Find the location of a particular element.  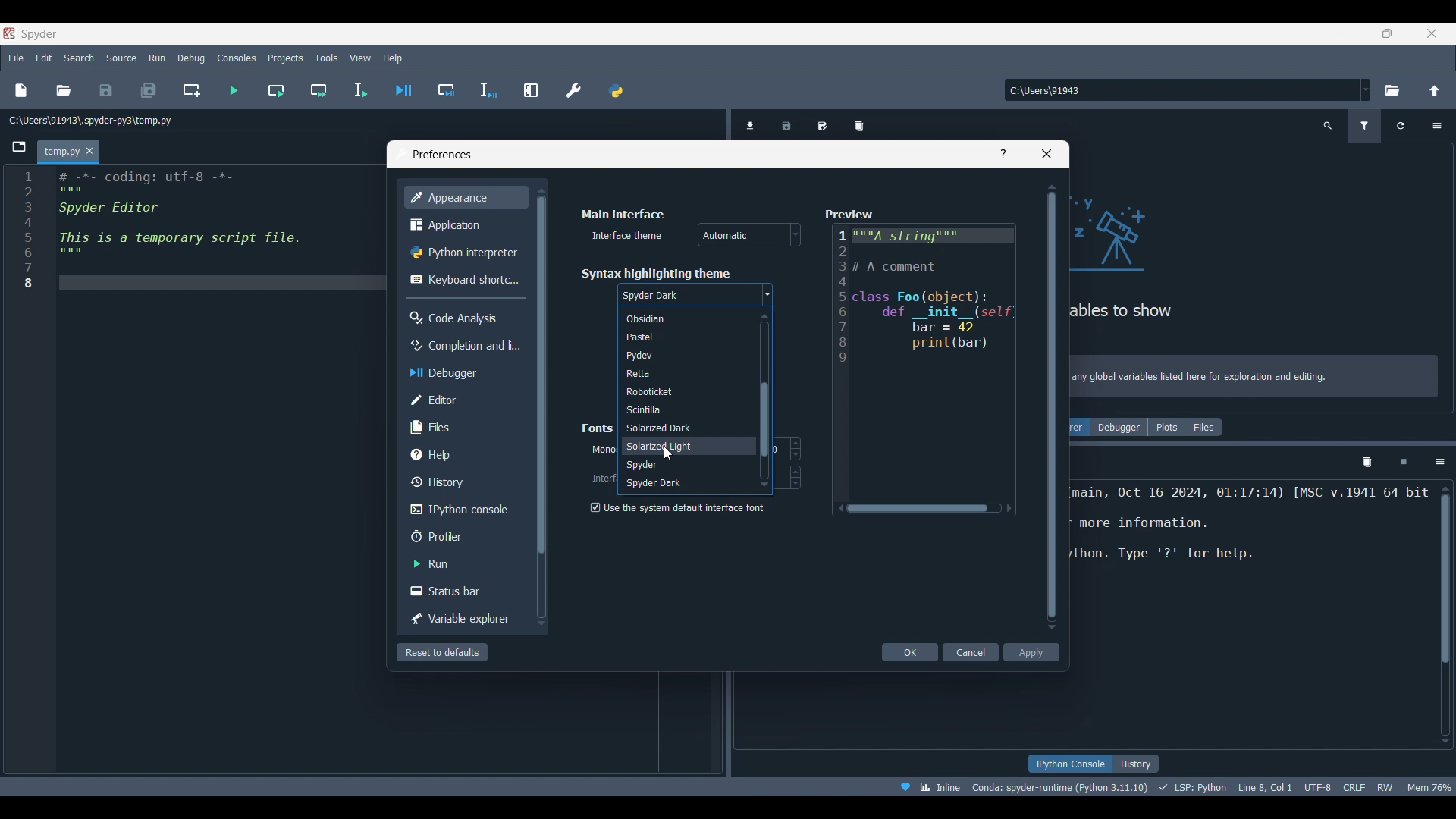

Browse tabs is located at coordinates (19, 147).